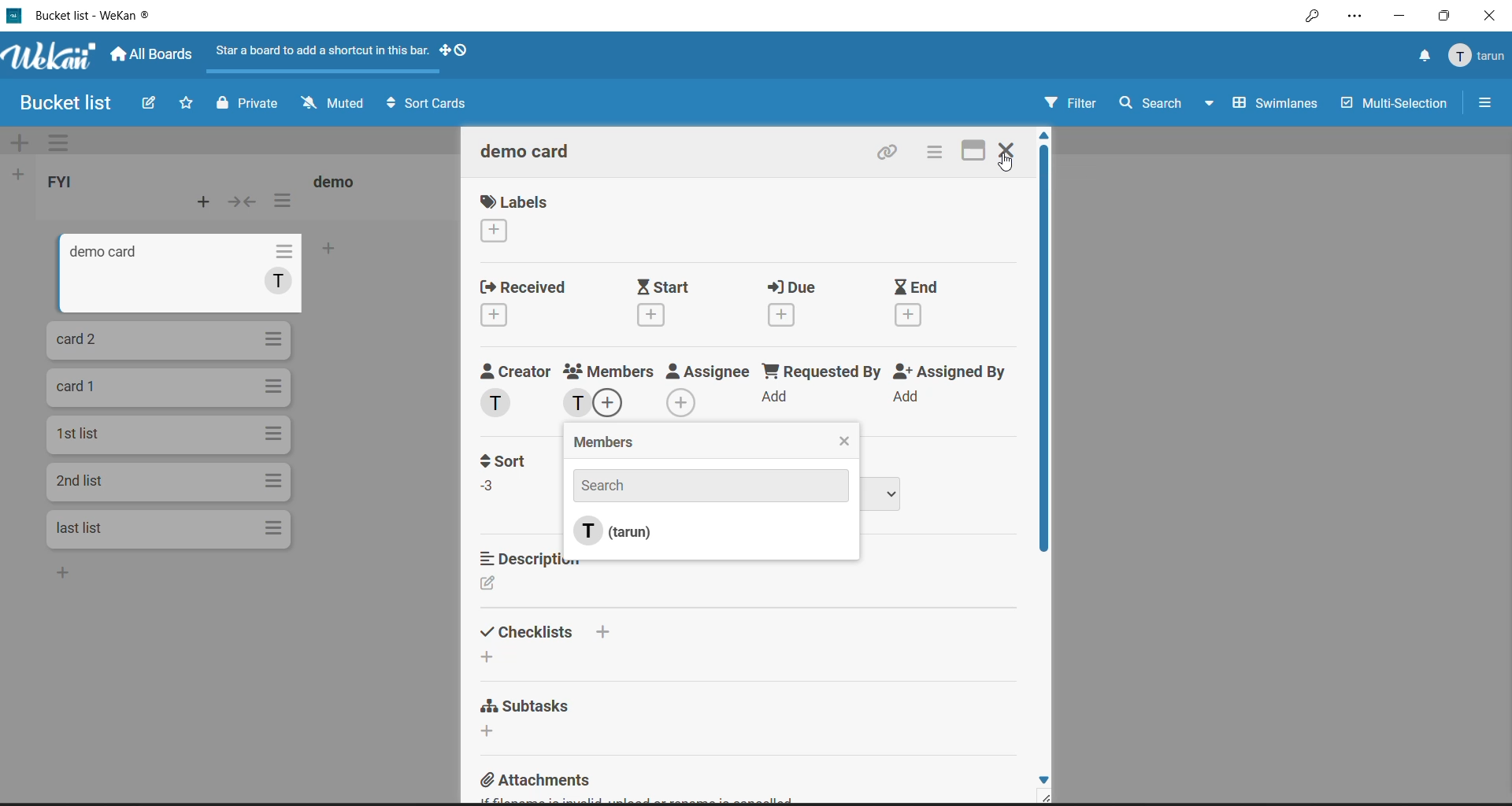 The width and height of the screenshot is (1512, 806). I want to click on add member, so click(682, 401).